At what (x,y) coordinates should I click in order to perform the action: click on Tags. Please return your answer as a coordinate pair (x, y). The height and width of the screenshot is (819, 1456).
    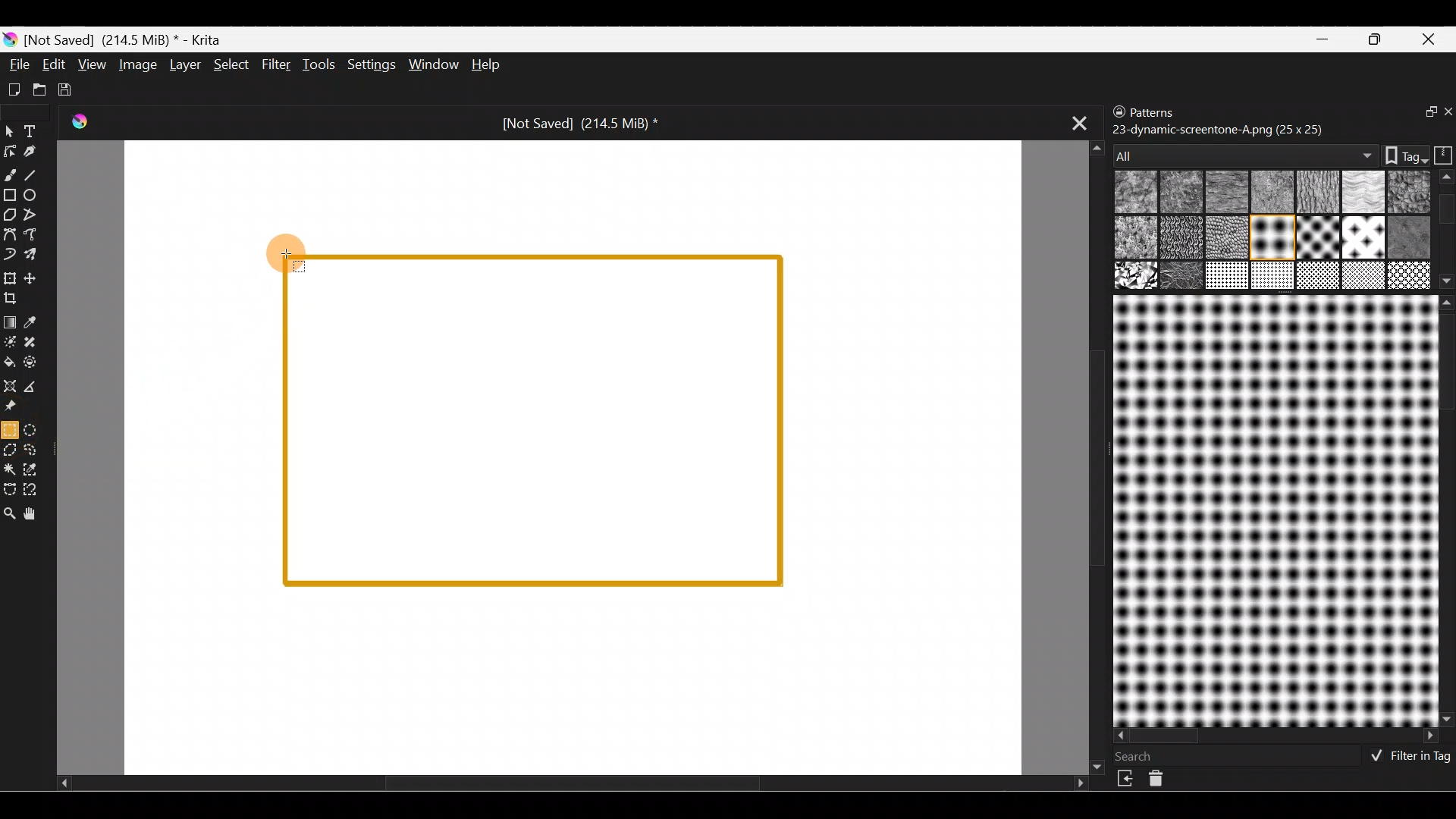
    Looking at the image, I should click on (1398, 154).